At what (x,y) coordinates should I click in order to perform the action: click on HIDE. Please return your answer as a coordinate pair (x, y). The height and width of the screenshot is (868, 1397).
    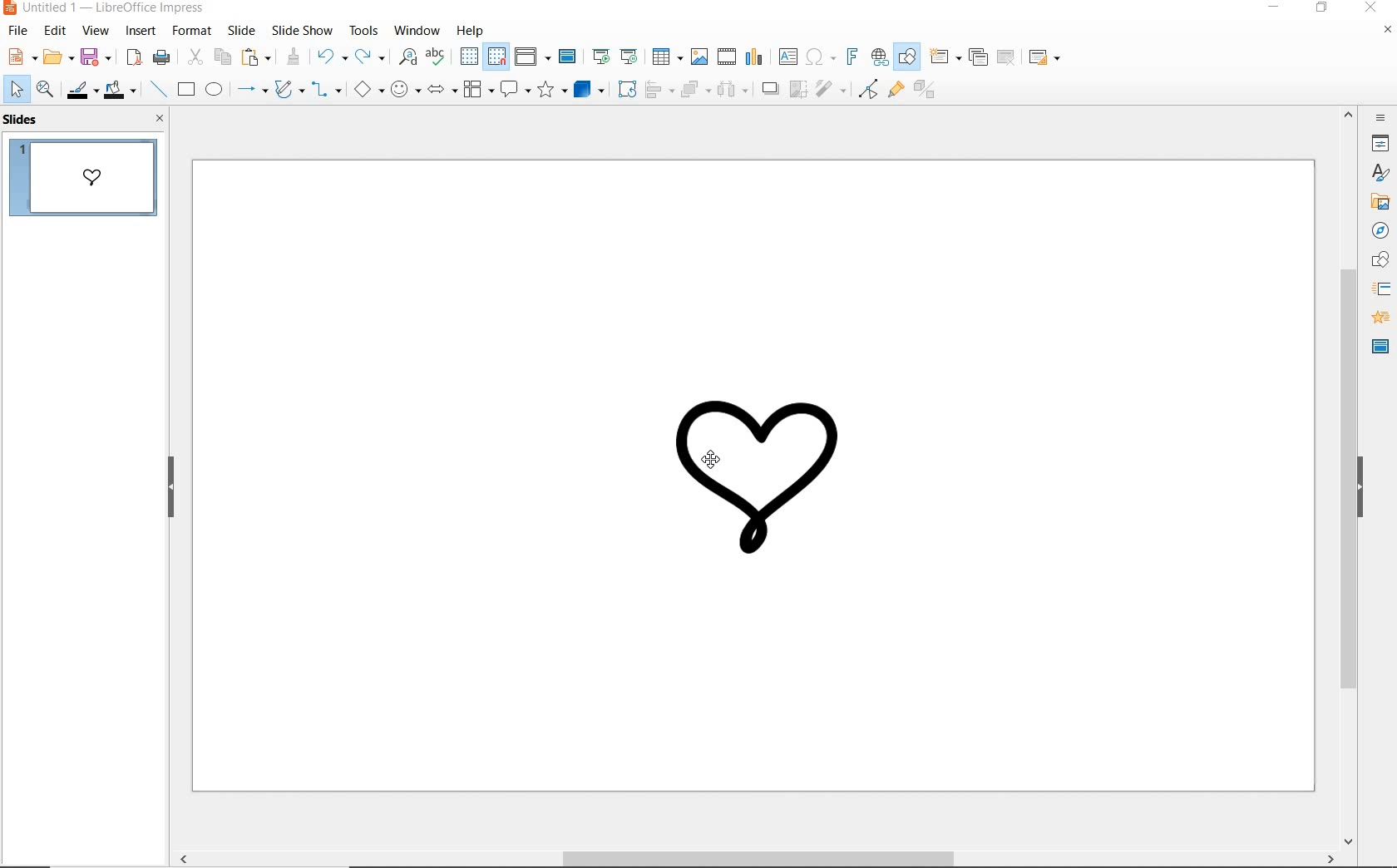
    Looking at the image, I should click on (1361, 489).